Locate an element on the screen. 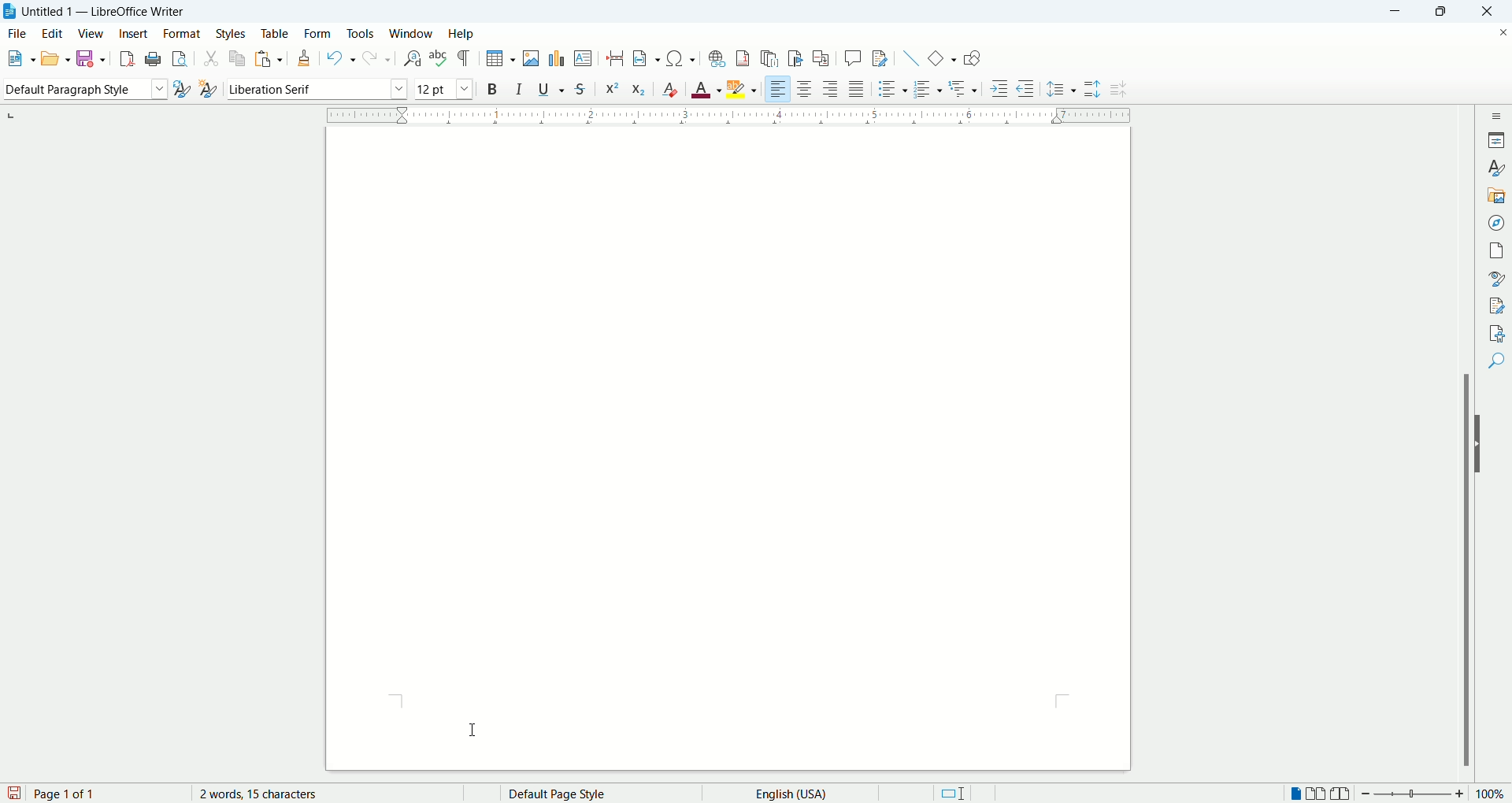 The image size is (1512, 803). word count is located at coordinates (272, 794).